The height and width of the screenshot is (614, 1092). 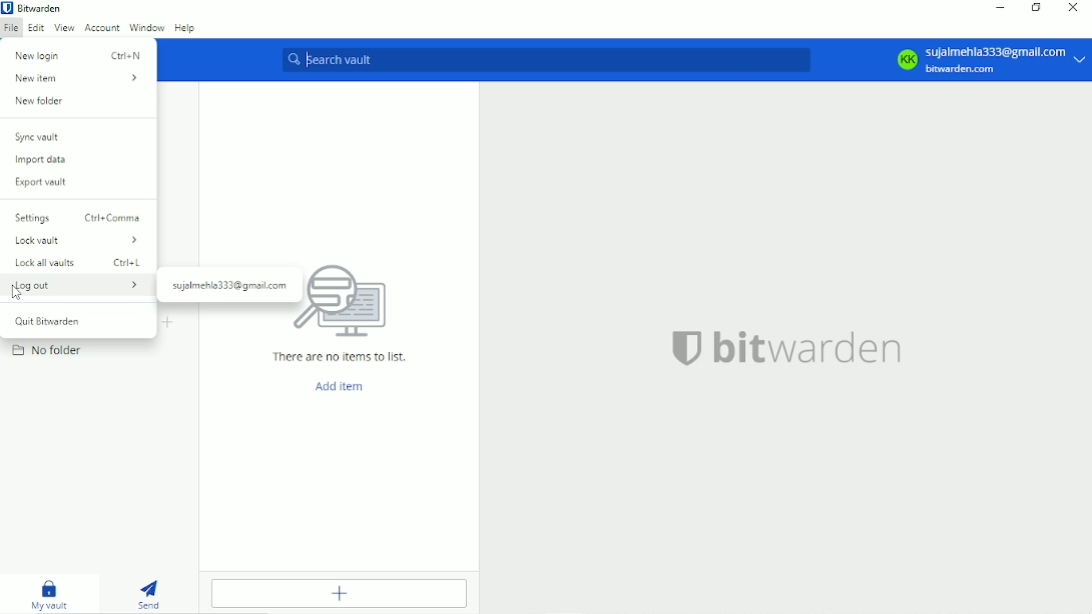 What do you see at coordinates (906, 59) in the screenshot?
I see `KK` at bounding box center [906, 59].